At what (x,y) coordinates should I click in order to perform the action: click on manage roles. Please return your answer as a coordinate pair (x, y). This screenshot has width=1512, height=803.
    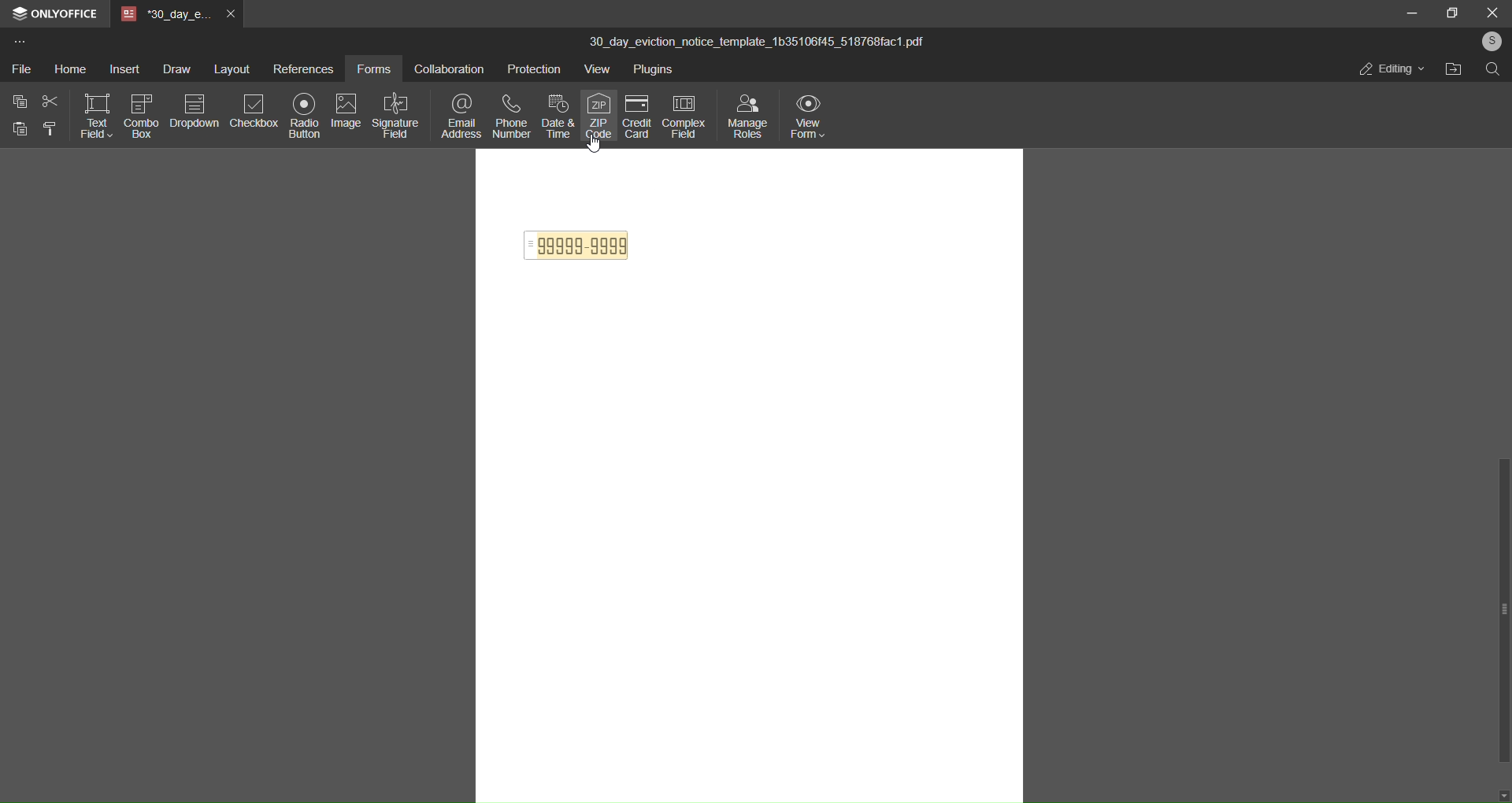
    Looking at the image, I should click on (747, 117).